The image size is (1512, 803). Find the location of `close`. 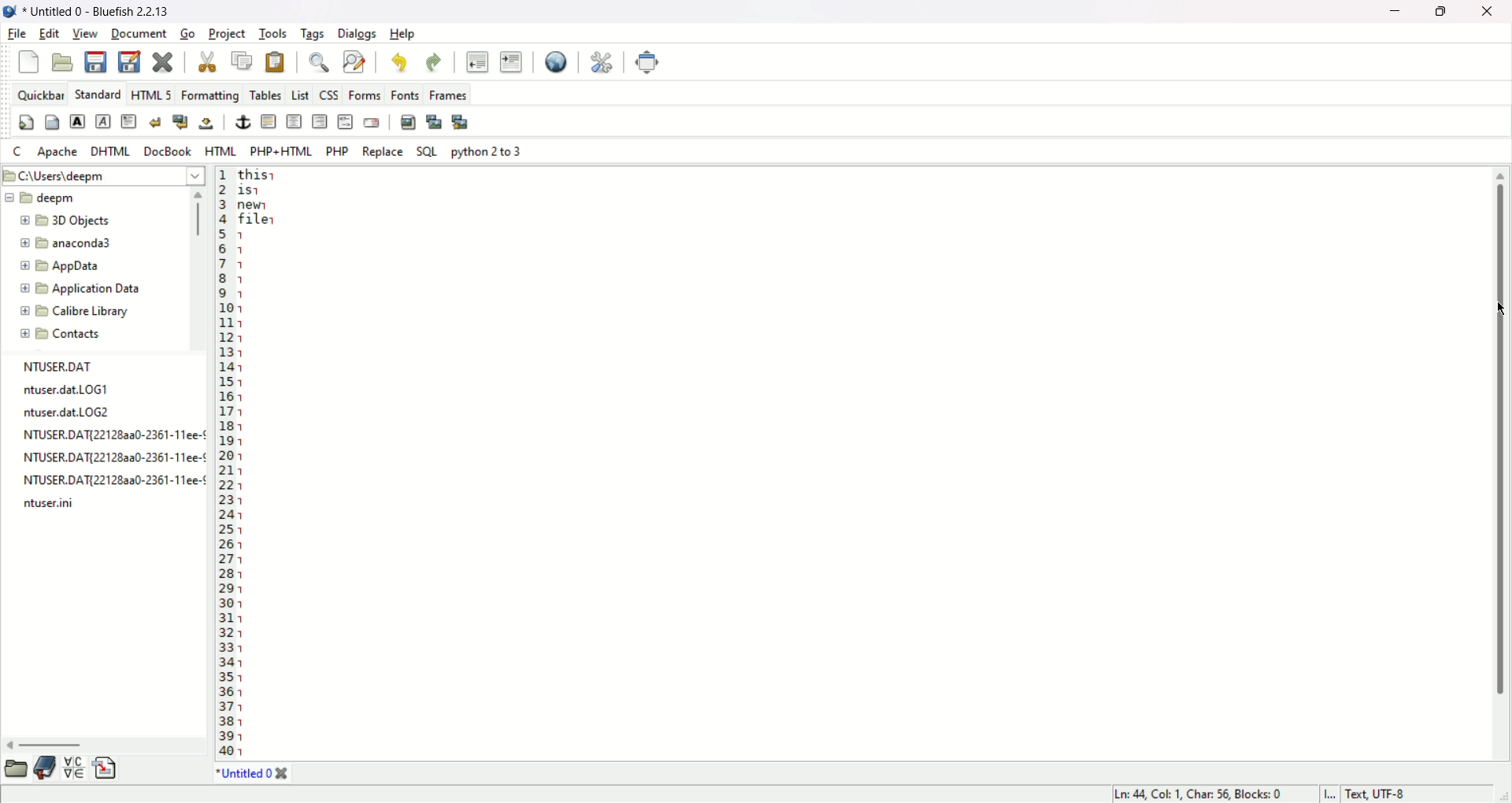

close is located at coordinates (283, 774).